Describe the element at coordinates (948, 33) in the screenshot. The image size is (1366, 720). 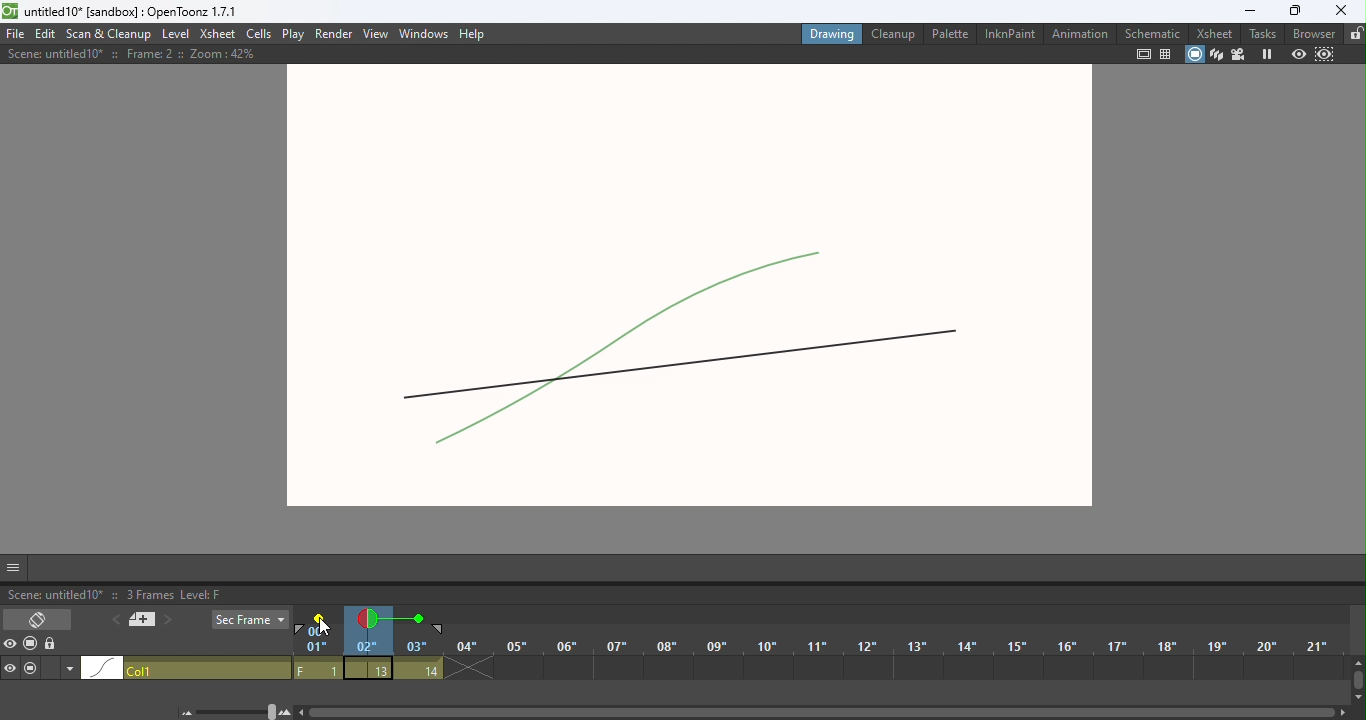
I see `Palette` at that location.